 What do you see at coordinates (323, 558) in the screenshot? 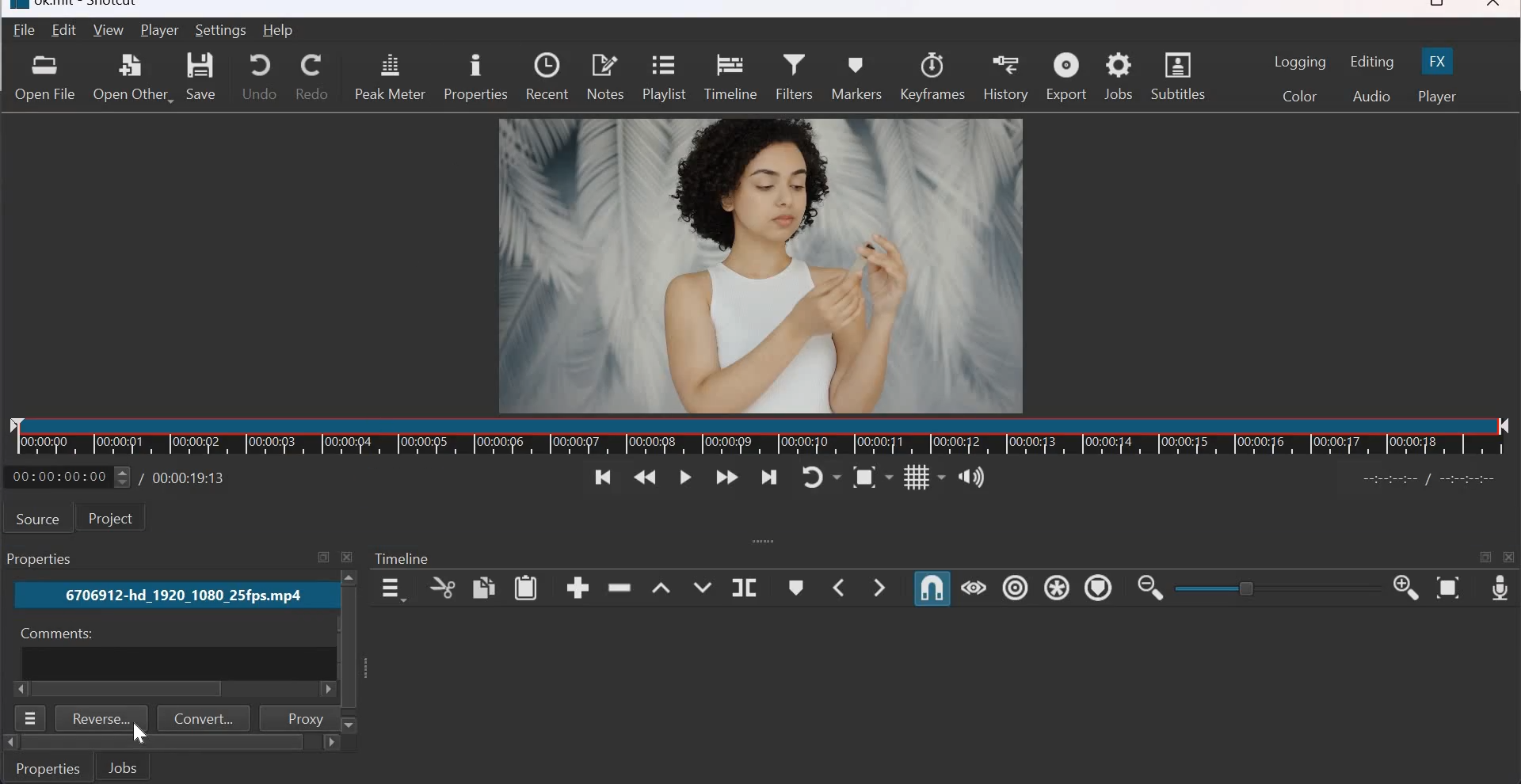
I see `Maximize` at bounding box center [323, 558].